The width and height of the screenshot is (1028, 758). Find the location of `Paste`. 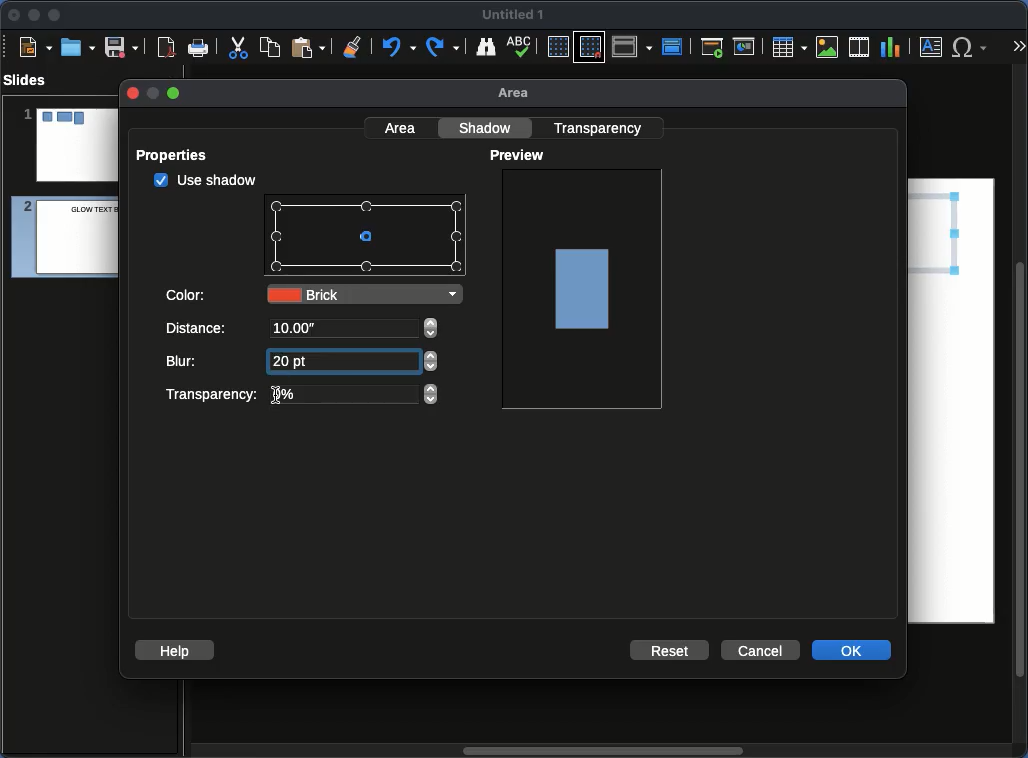

Paste is located at coordinates (308, 46).